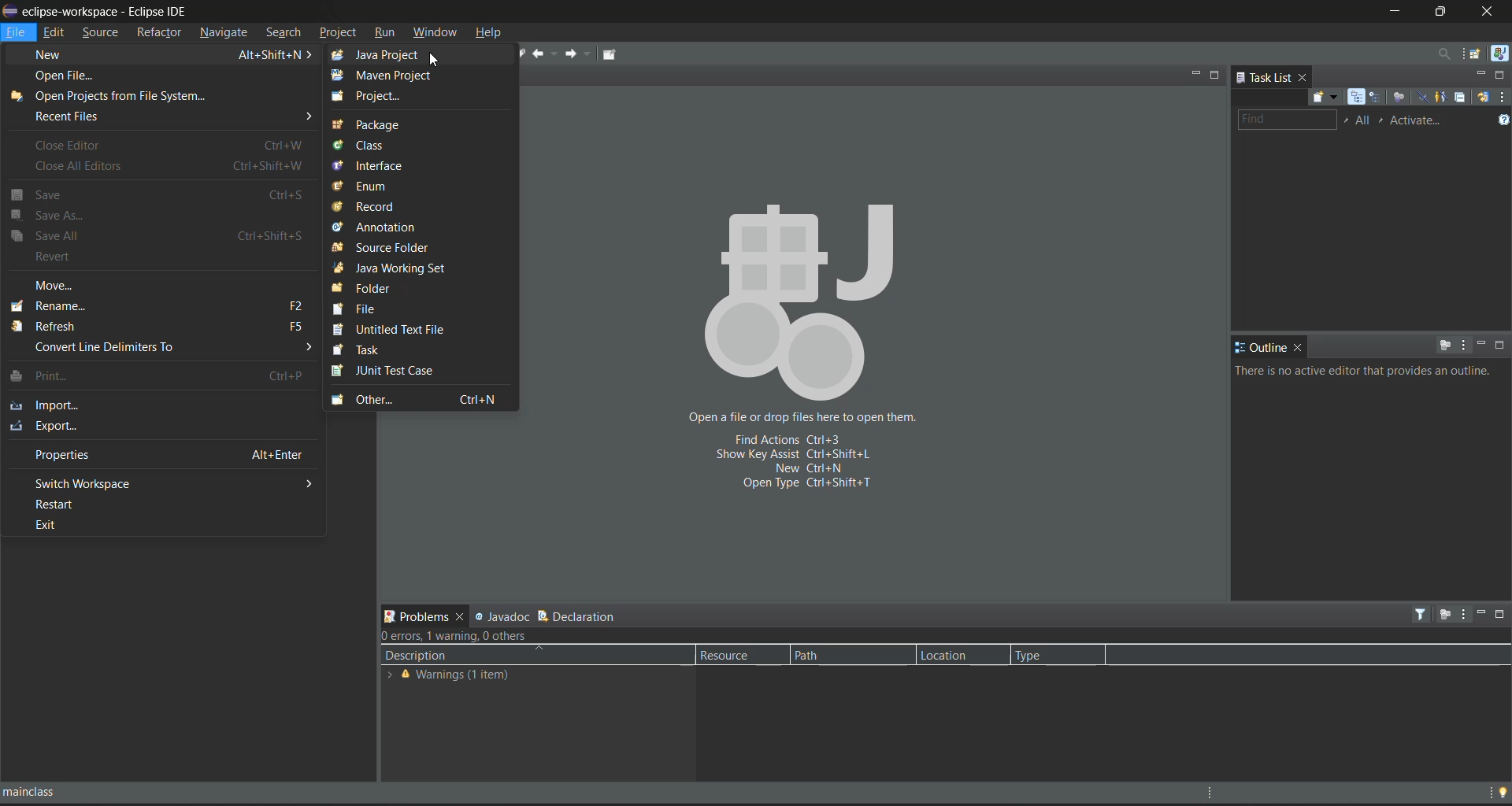 This screenshot has width=1512, height=806. What do you see at coordinates (1443, 97) in the screenshot?
I see `show only my tasks` at bounding box center [1443, 97].